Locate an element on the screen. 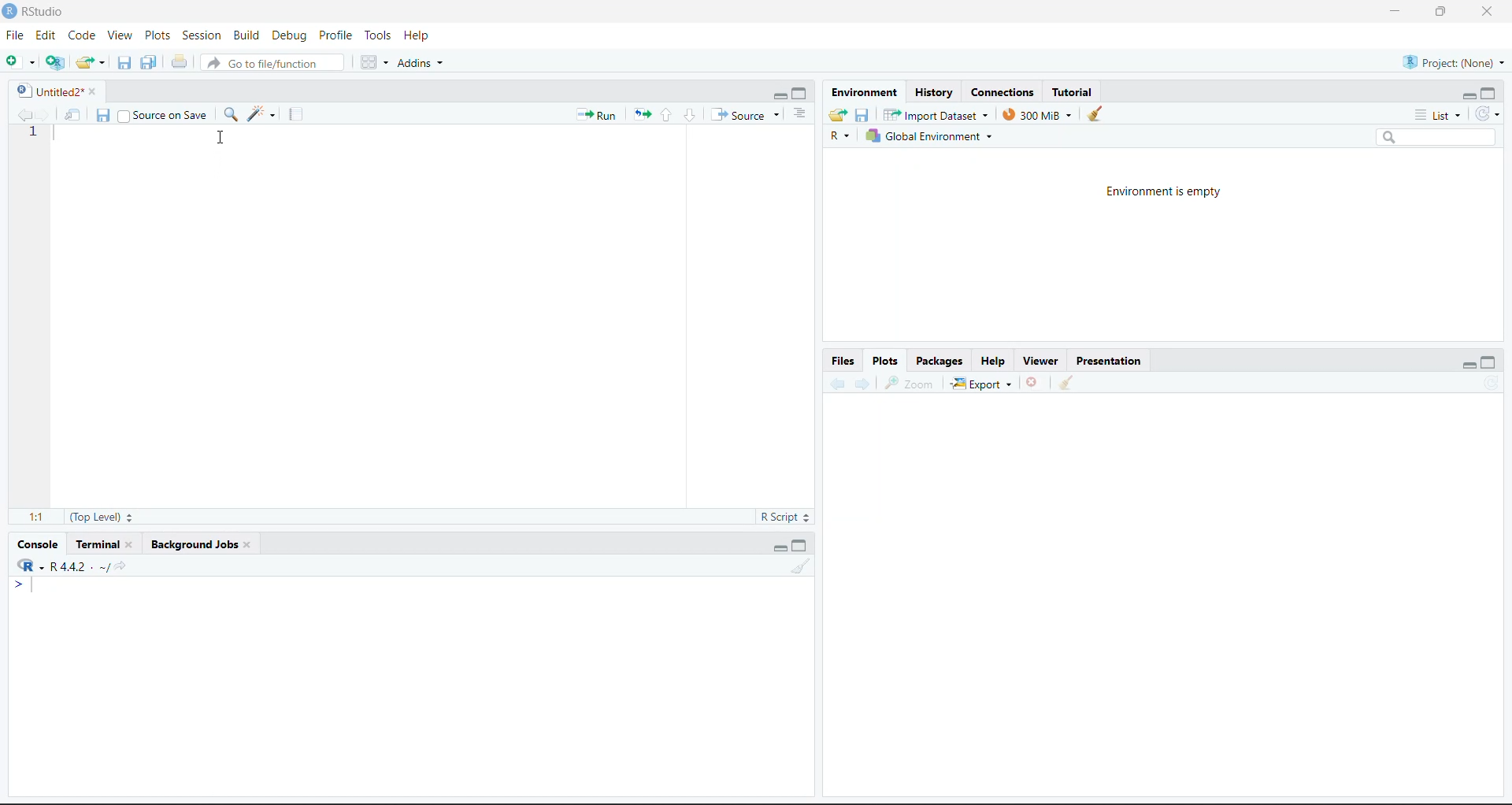  RStudio is located at coordinates (40, 11).